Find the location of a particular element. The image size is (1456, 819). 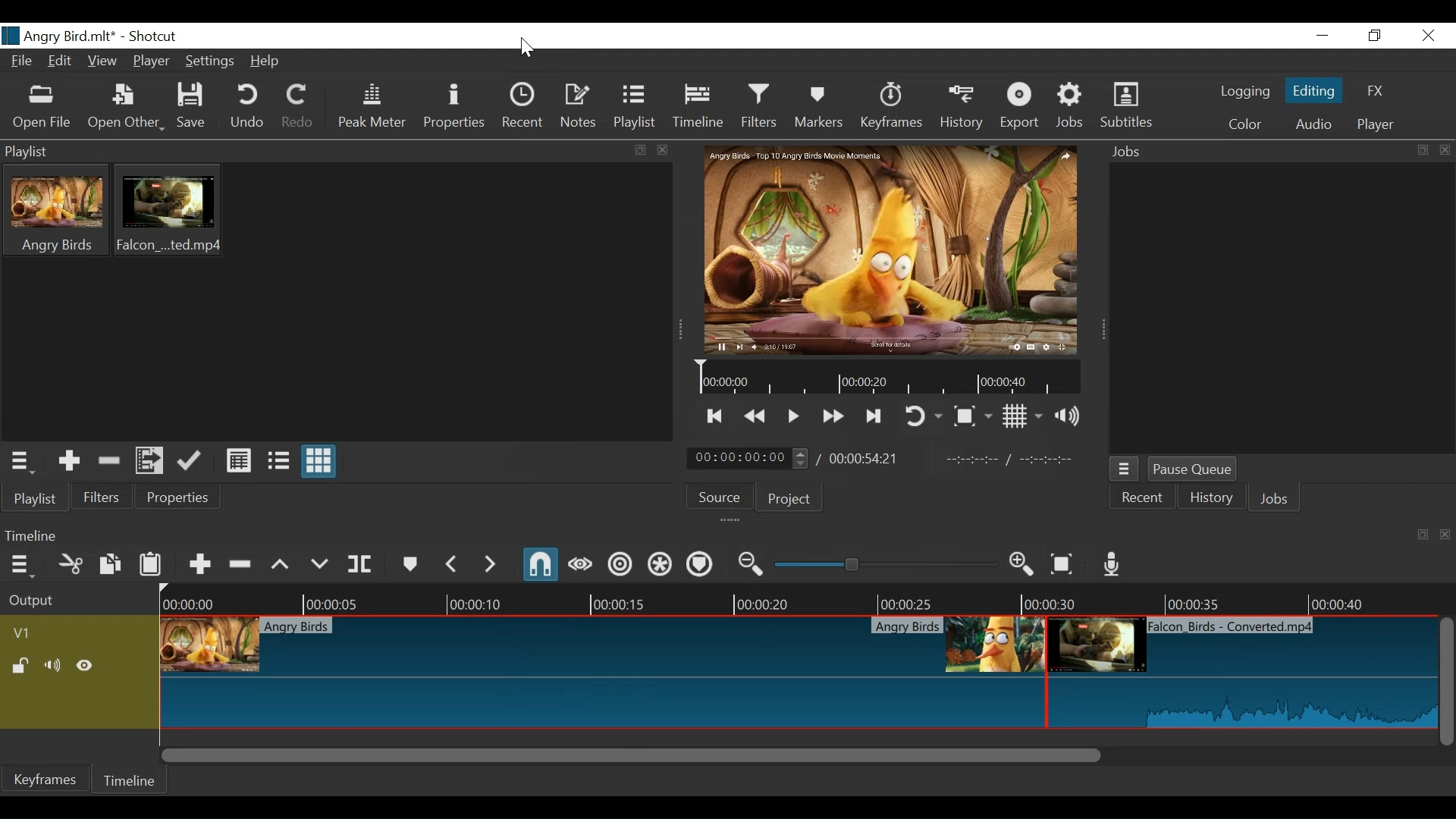

File is located at coordinates (24, 61).